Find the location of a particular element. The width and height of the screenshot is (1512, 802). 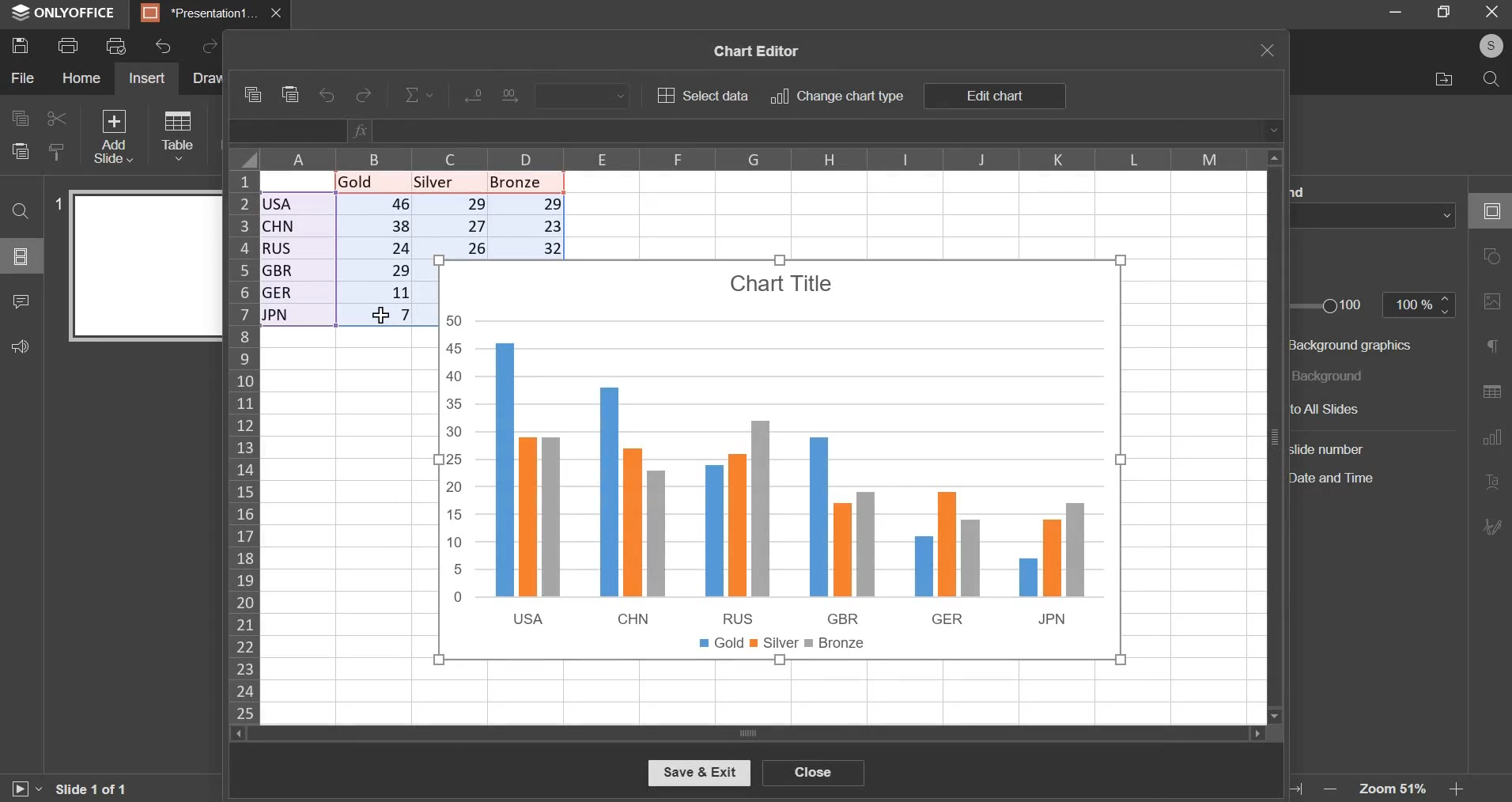

undo is located at coordinates (164, 47).